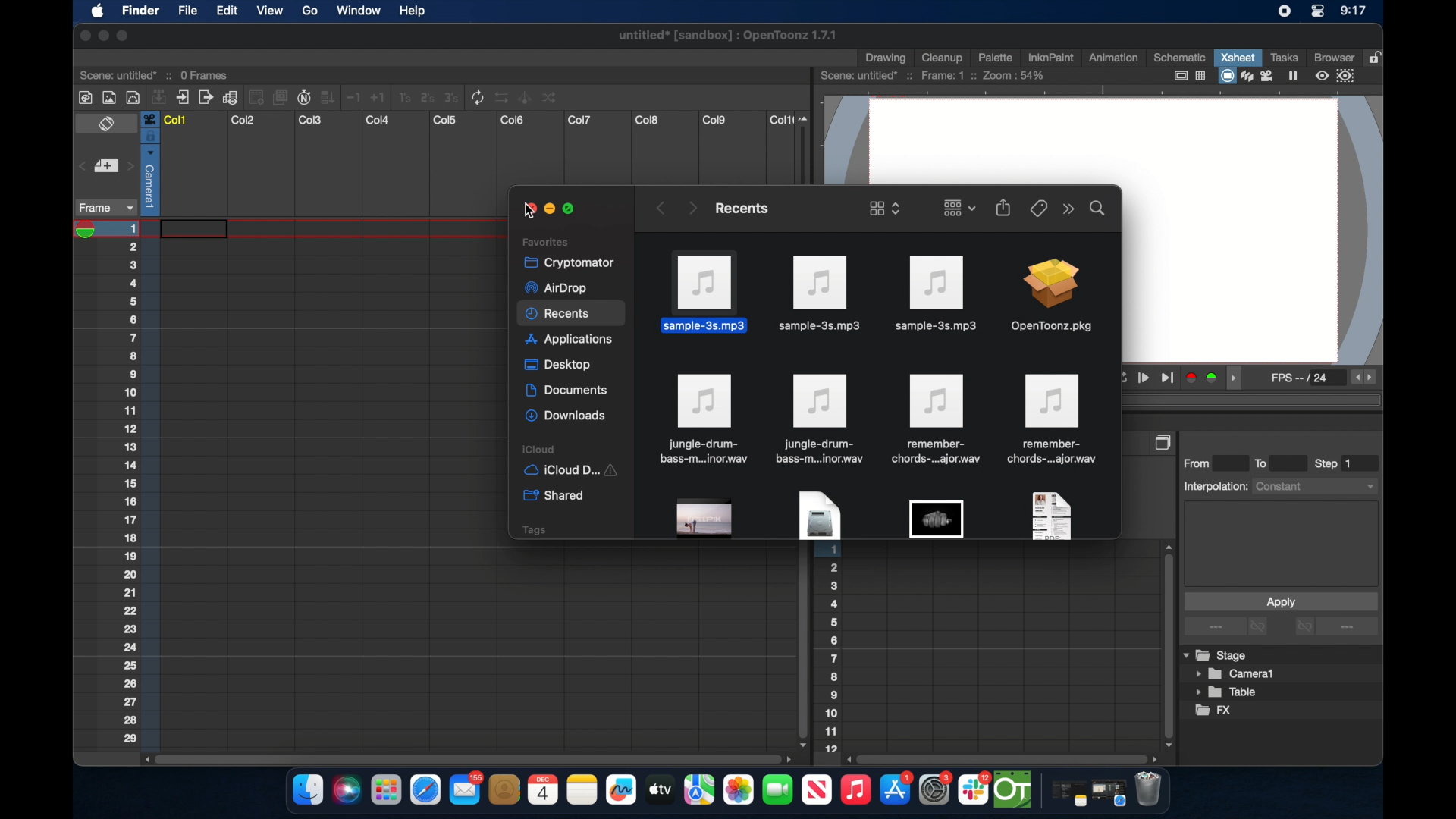 This screenshot has height=819, width=1456. What do you see at coordinates (564, 262) in the screenshot?
I see `cryptomator` at bounding box center [564, 262].